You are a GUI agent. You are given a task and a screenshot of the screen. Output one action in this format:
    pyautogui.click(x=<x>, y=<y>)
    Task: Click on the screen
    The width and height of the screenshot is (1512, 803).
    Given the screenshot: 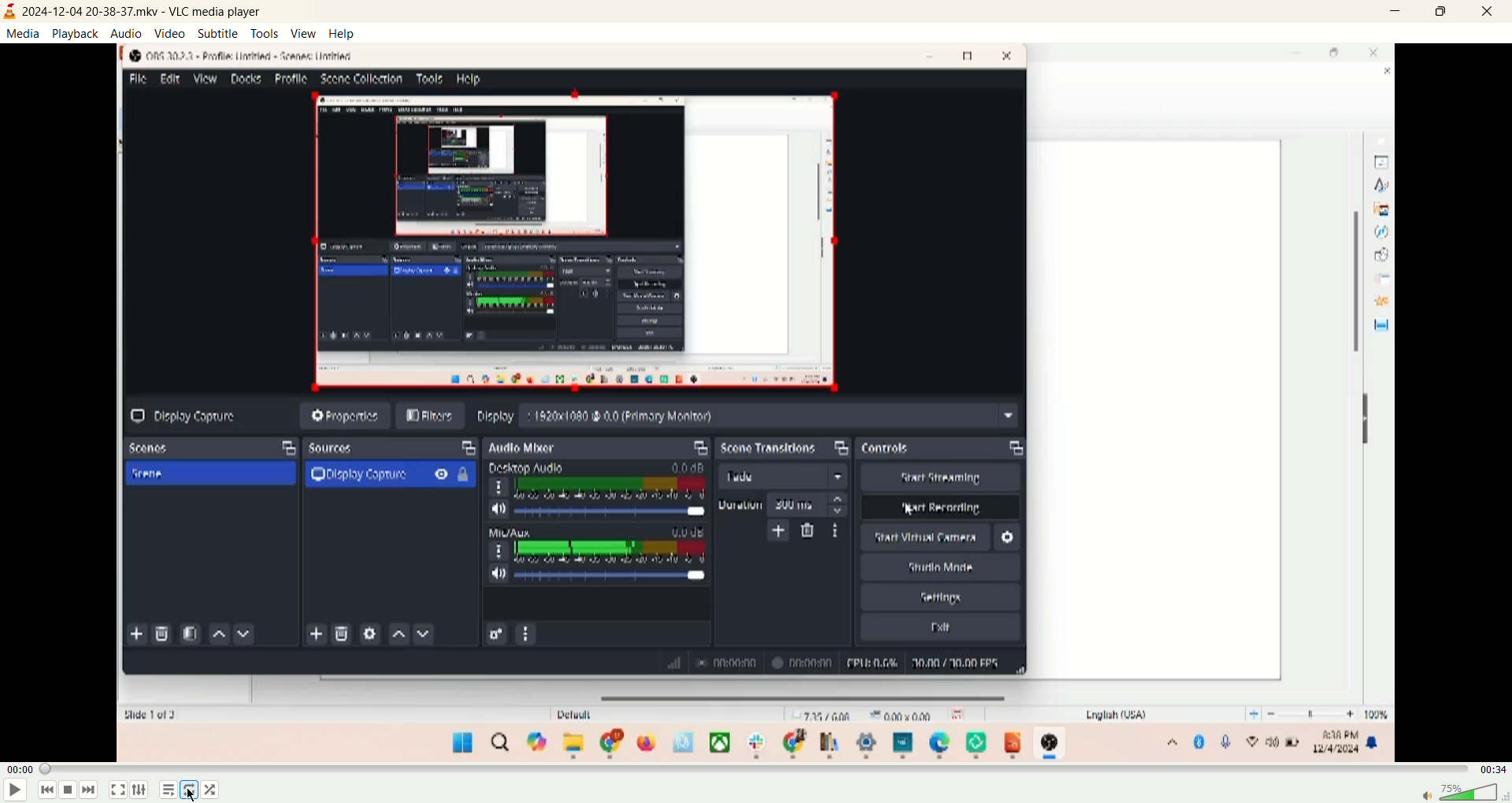 What is the action you would take?
    pyautogui.click(x=757, y=403)
    